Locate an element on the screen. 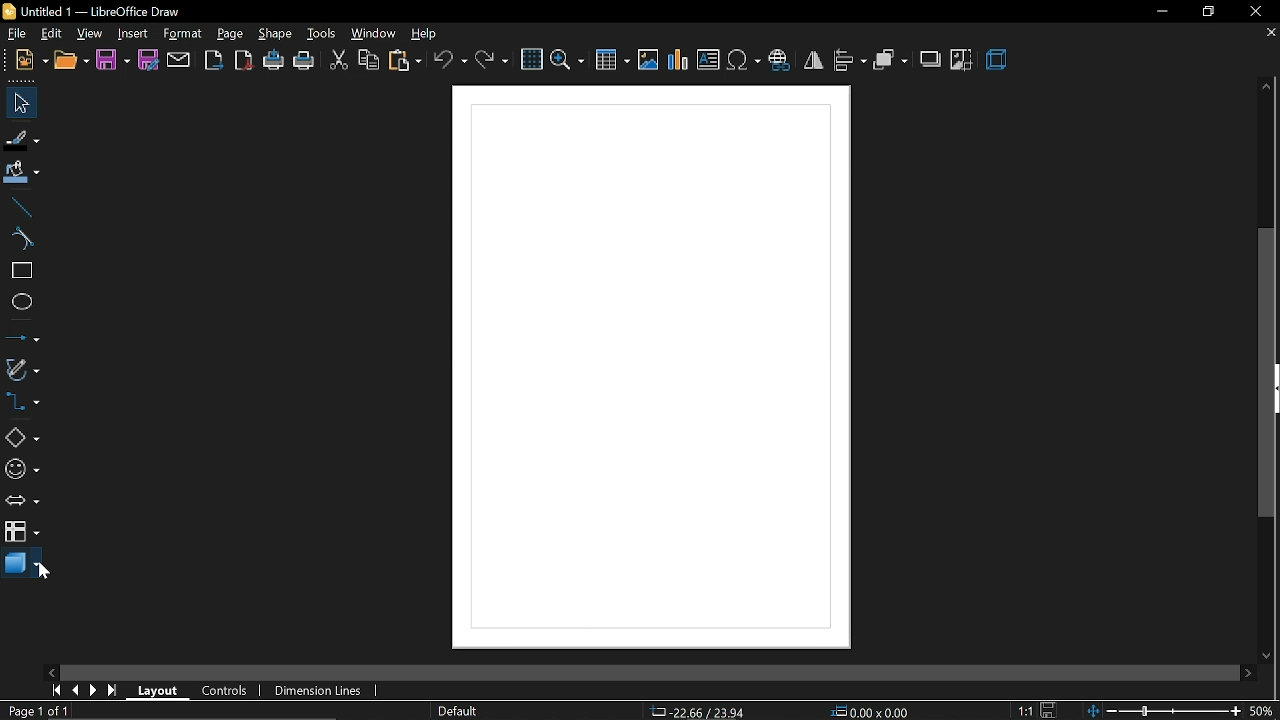 The image size is (1280, 720). edit is located at coordinates (52, 33).